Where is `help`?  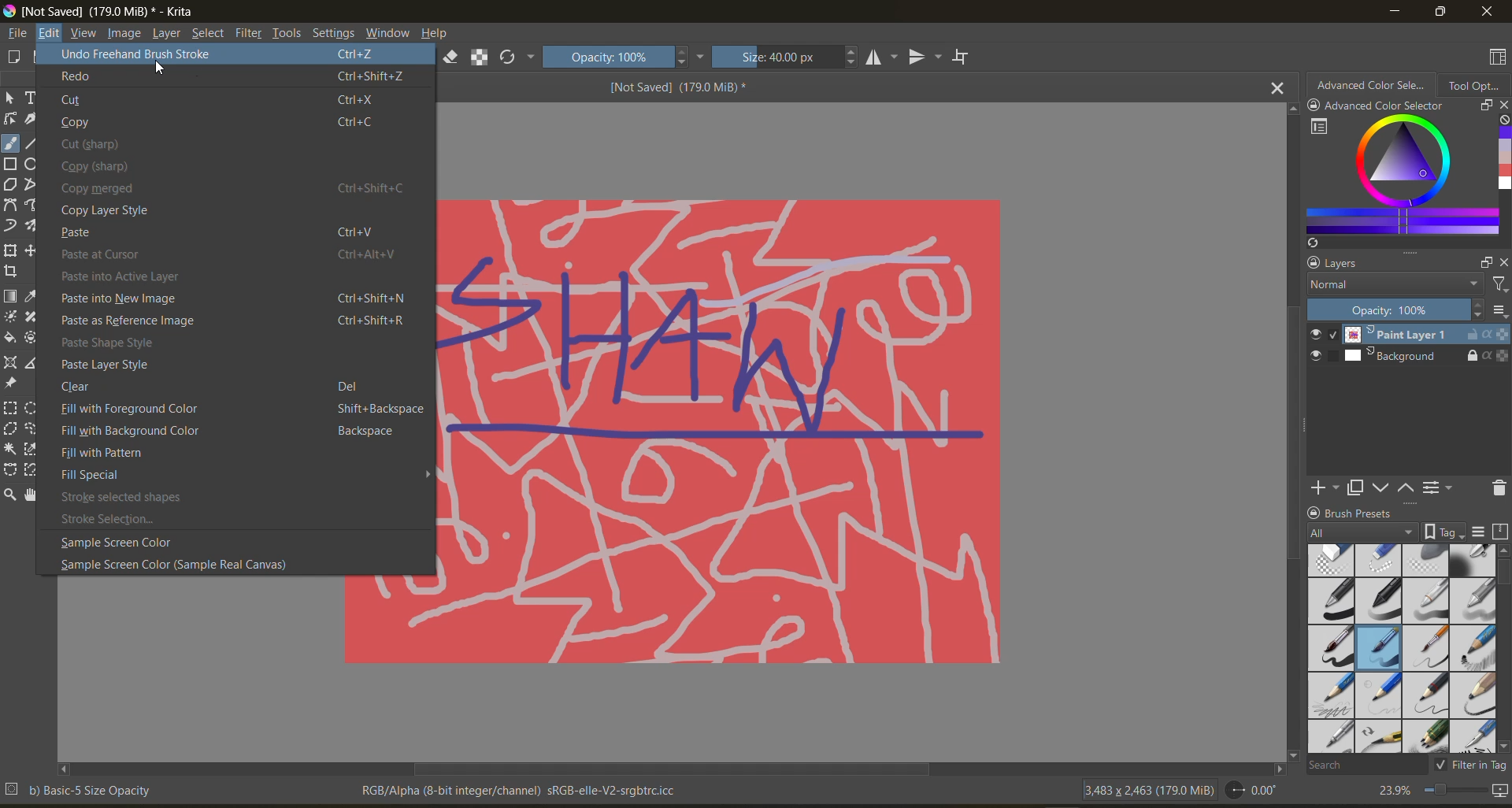
help is located at coordinates (439, 33).